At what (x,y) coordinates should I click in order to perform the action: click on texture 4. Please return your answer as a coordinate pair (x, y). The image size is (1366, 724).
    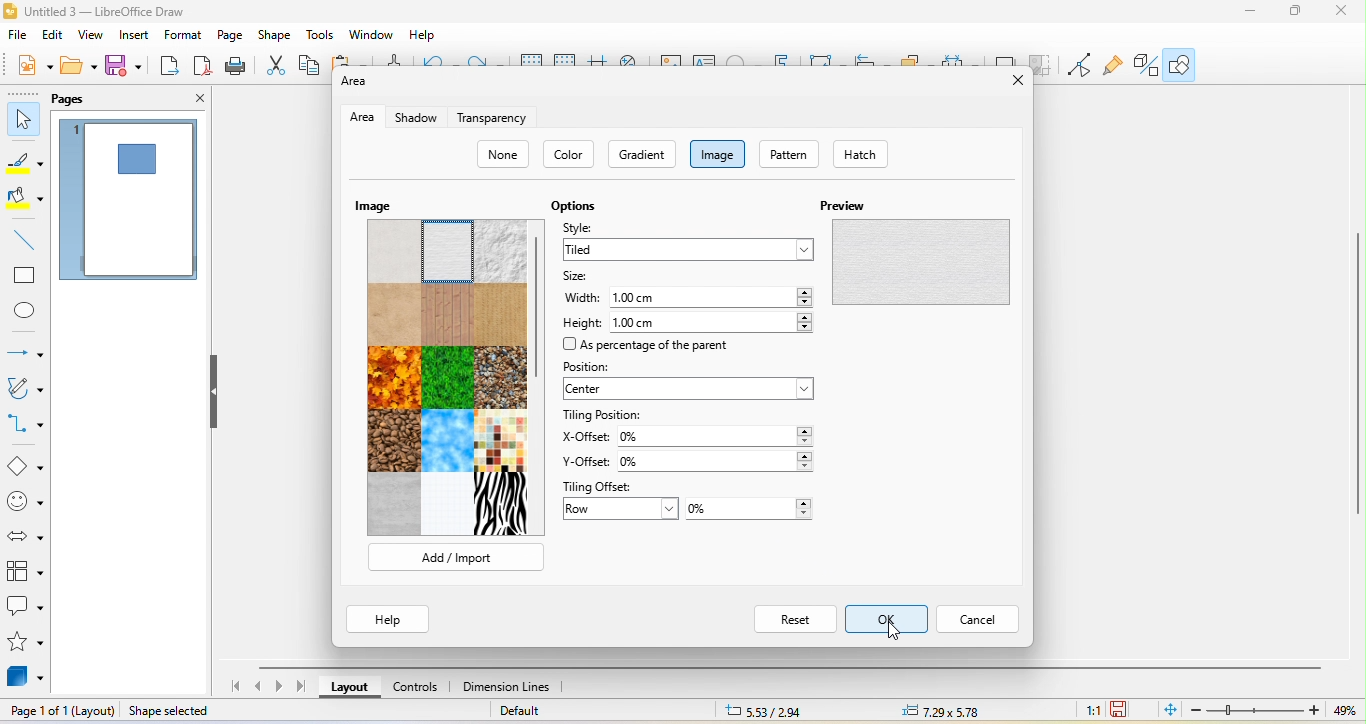
    Looking at the image, I should click on (394, 314).